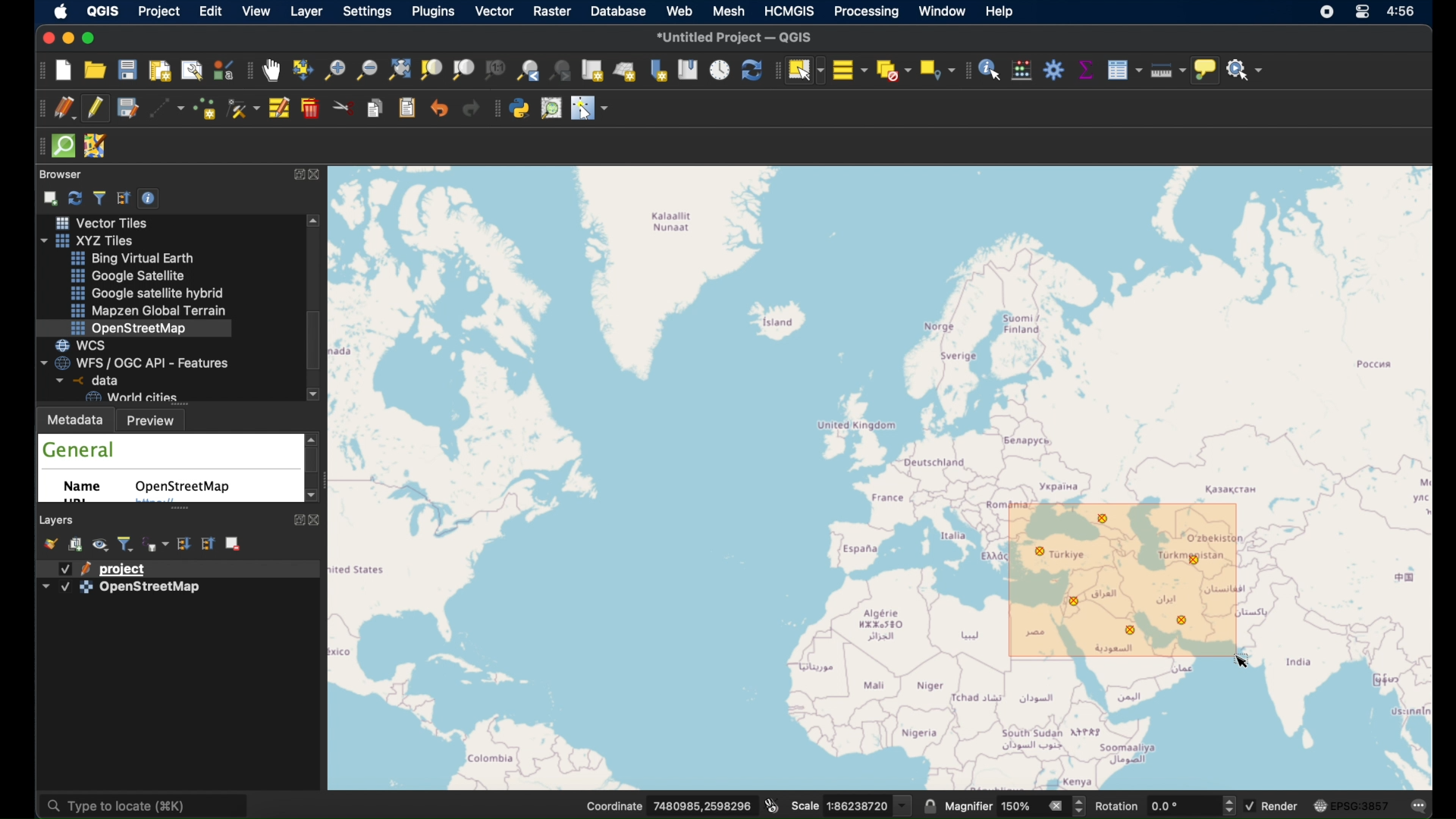  What do you see at coordinates (1164, 69) in the screenshot?
I see `measure line` at bounding box center [1164, 69].